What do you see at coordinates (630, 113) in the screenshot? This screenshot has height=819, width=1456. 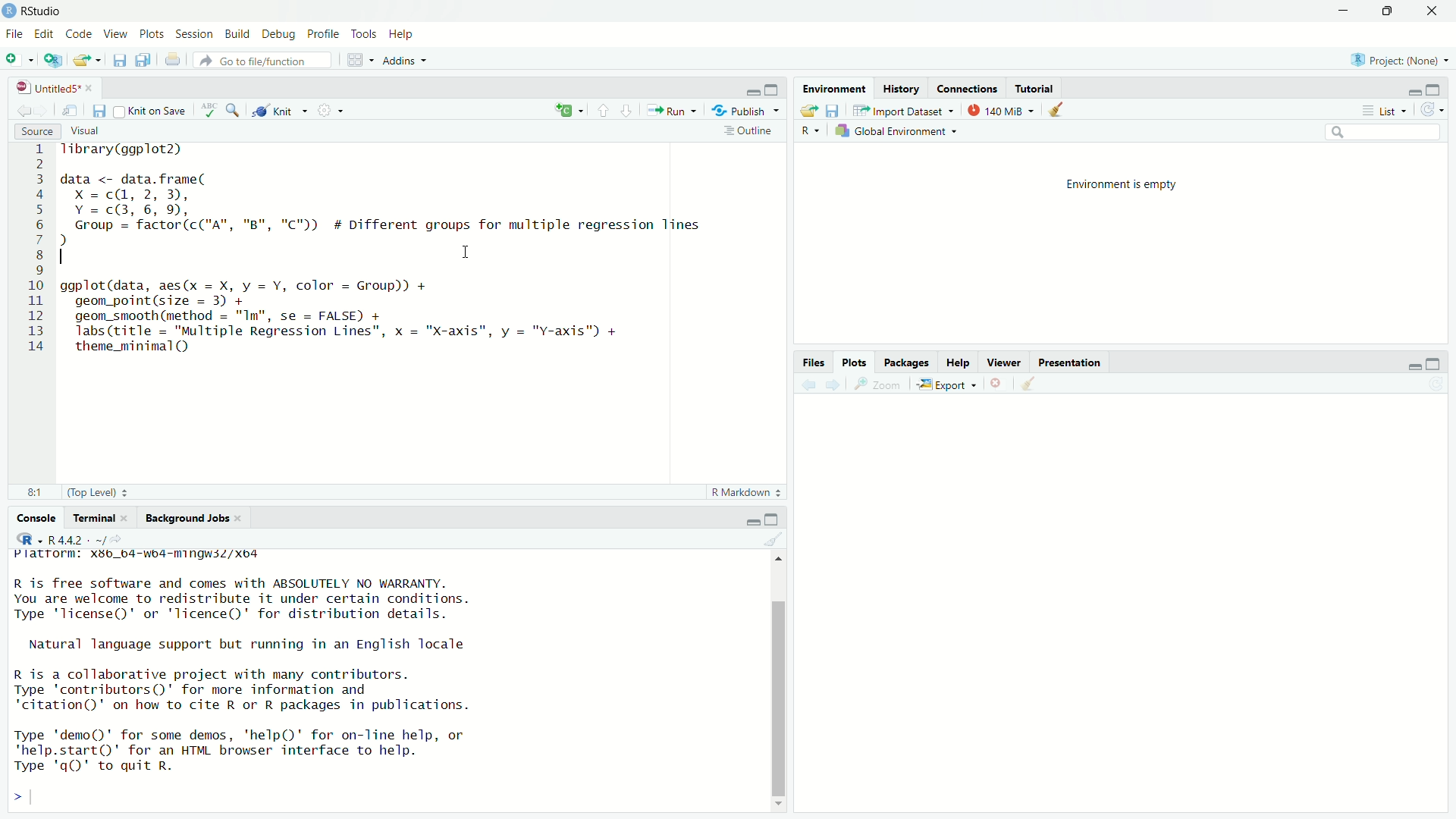 I see `downward` at bounding box center [630, 113].